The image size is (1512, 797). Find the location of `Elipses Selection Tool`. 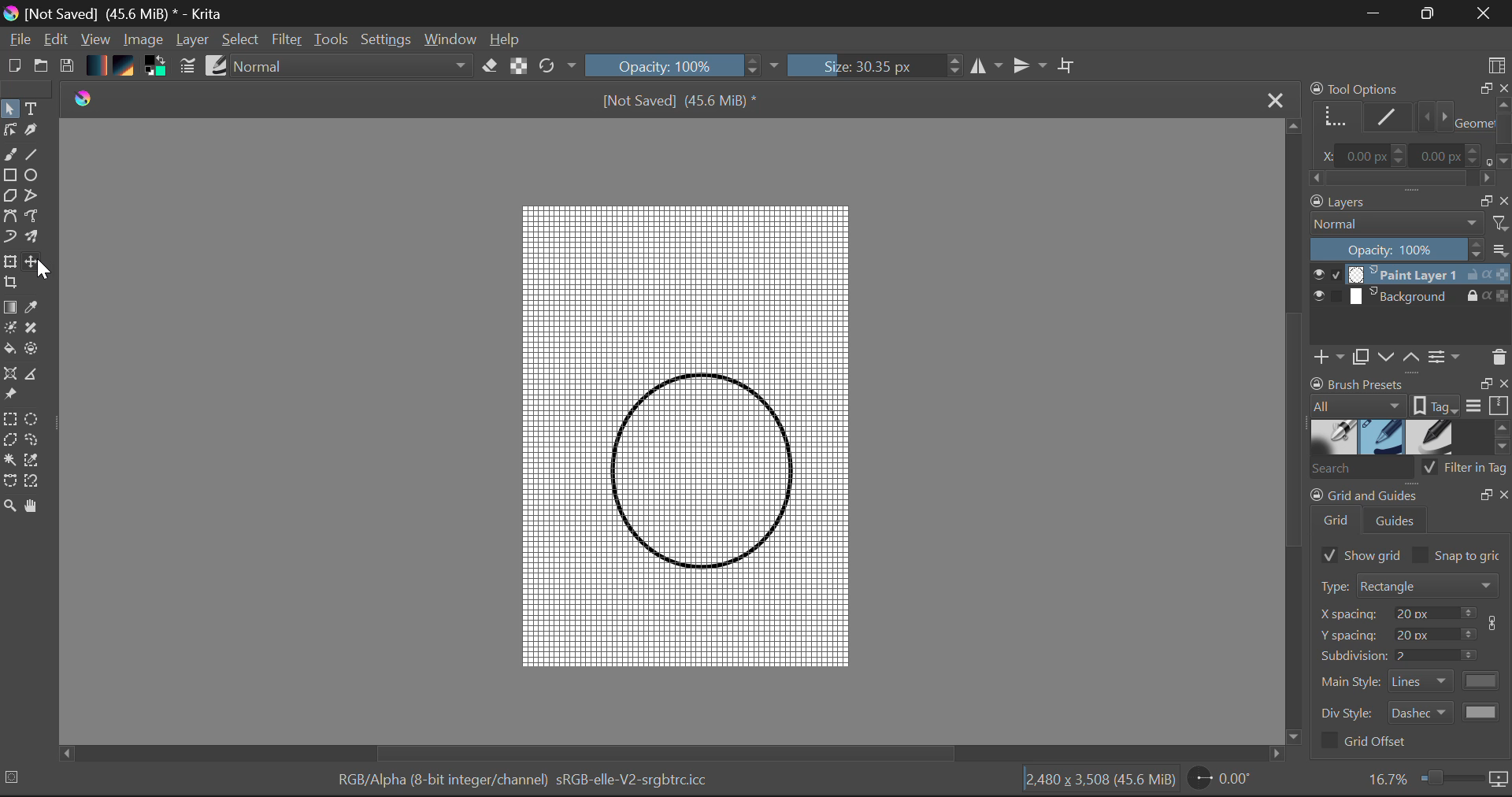

Elipses Selection Tool is located at coordinates (34, 418).